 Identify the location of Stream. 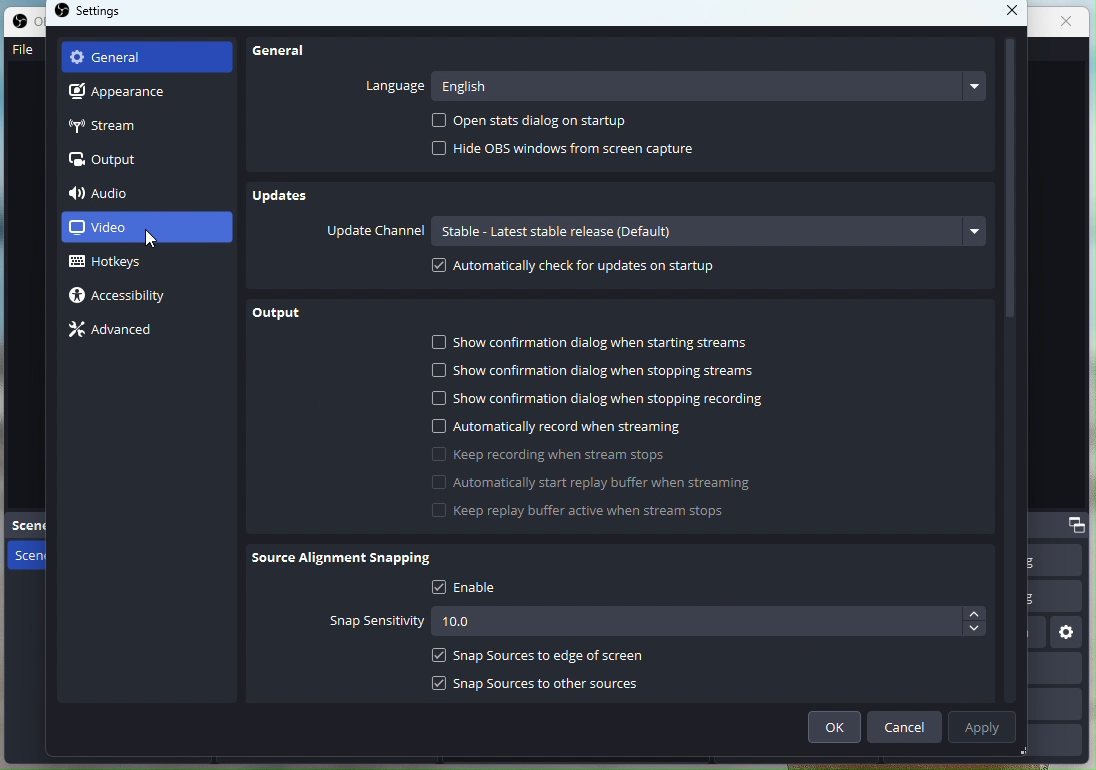
(143, 127).